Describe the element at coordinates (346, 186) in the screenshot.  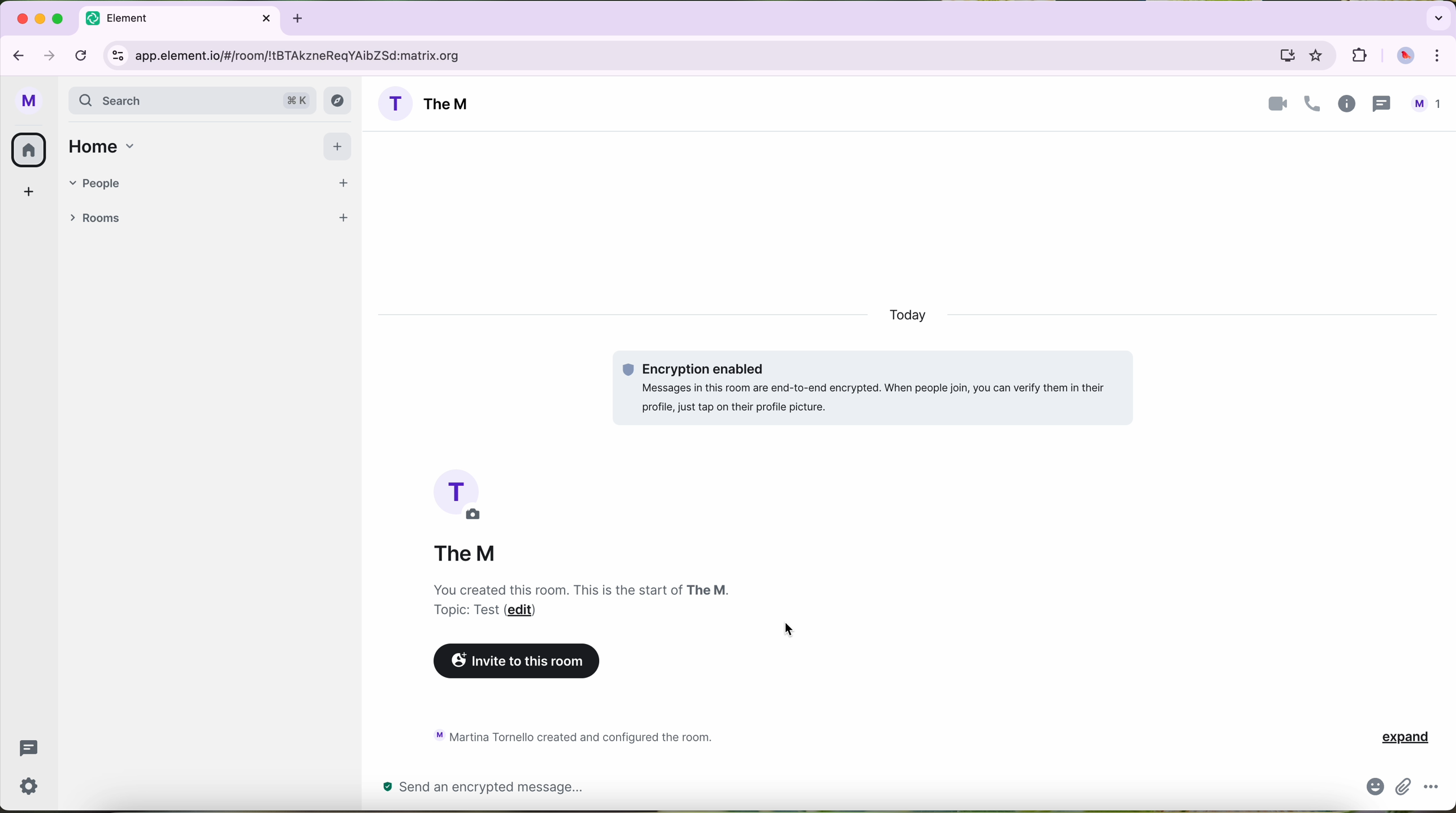
I see `start a chat` at that location.